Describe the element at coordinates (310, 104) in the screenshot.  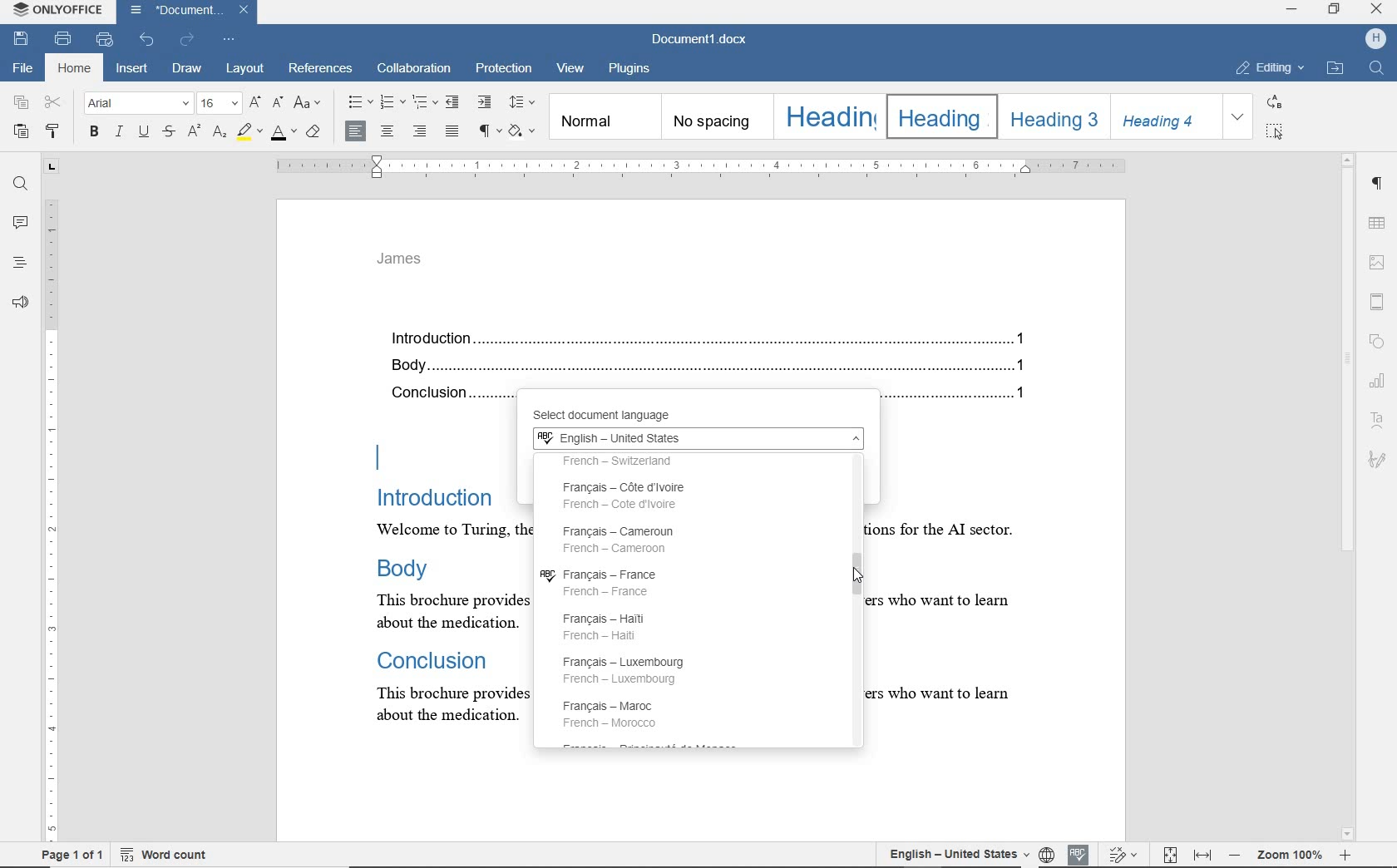
I see `change case` at that location.